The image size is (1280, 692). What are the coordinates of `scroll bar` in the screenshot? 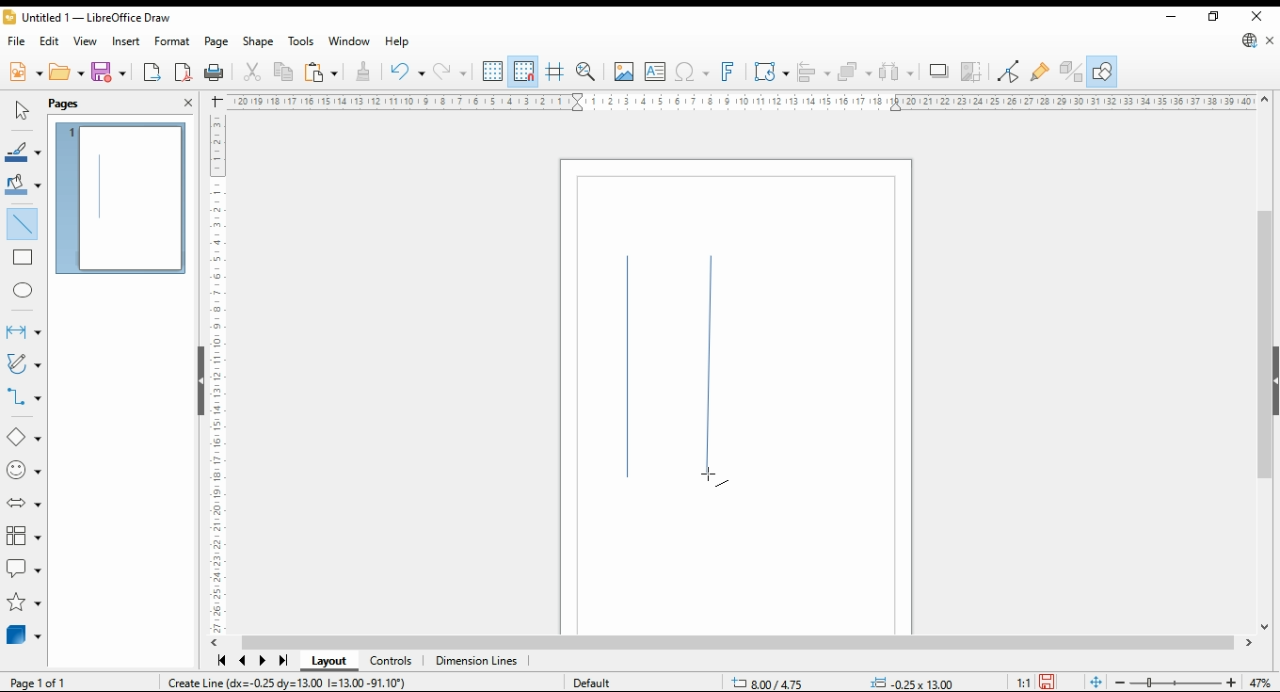 It's located at (738, 642).